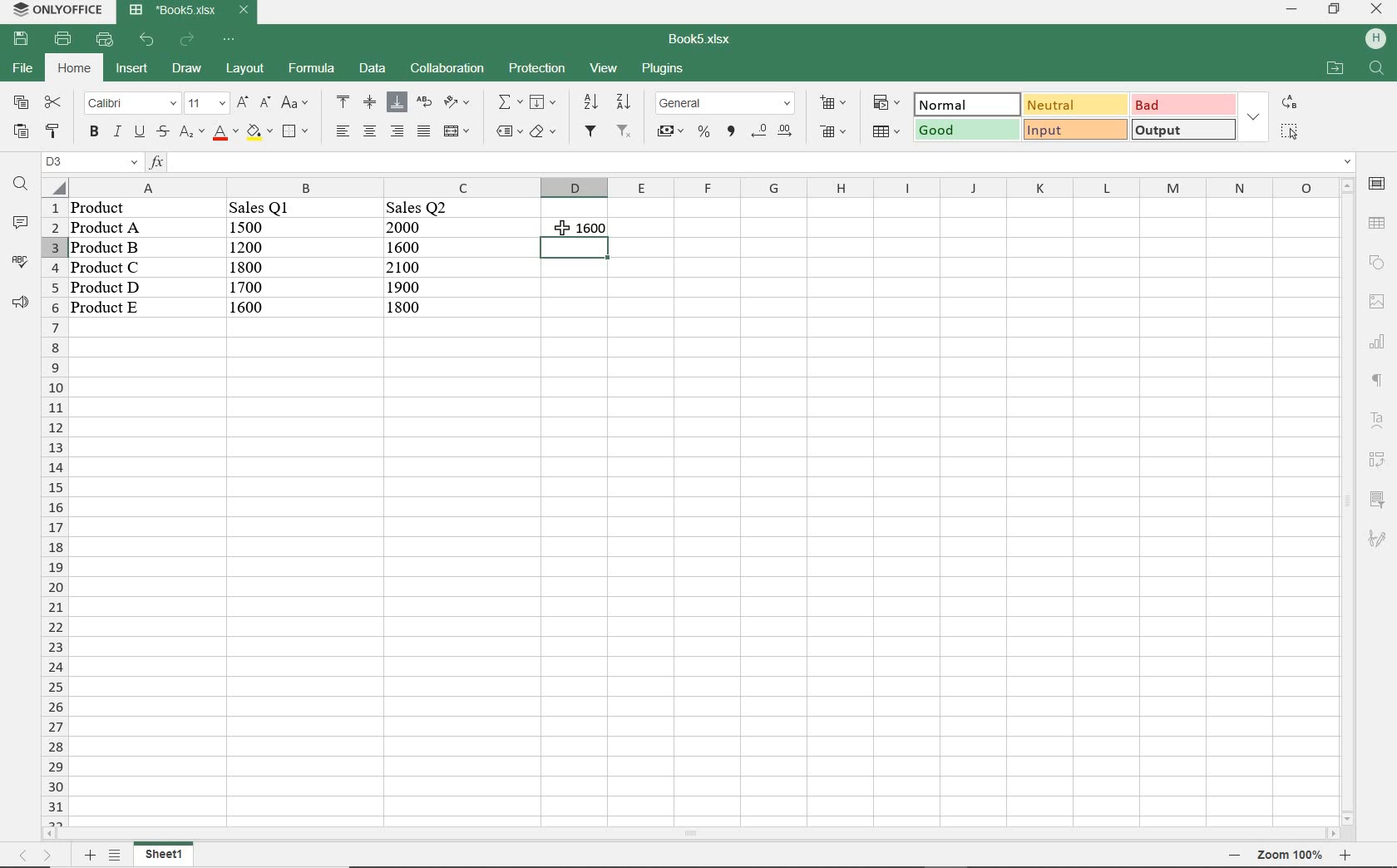 This screenshot has height=868, width=1397. What do you see at coordinates (544, 133) in the screenshot?
I see `clear` at bounding box center [544, 133].